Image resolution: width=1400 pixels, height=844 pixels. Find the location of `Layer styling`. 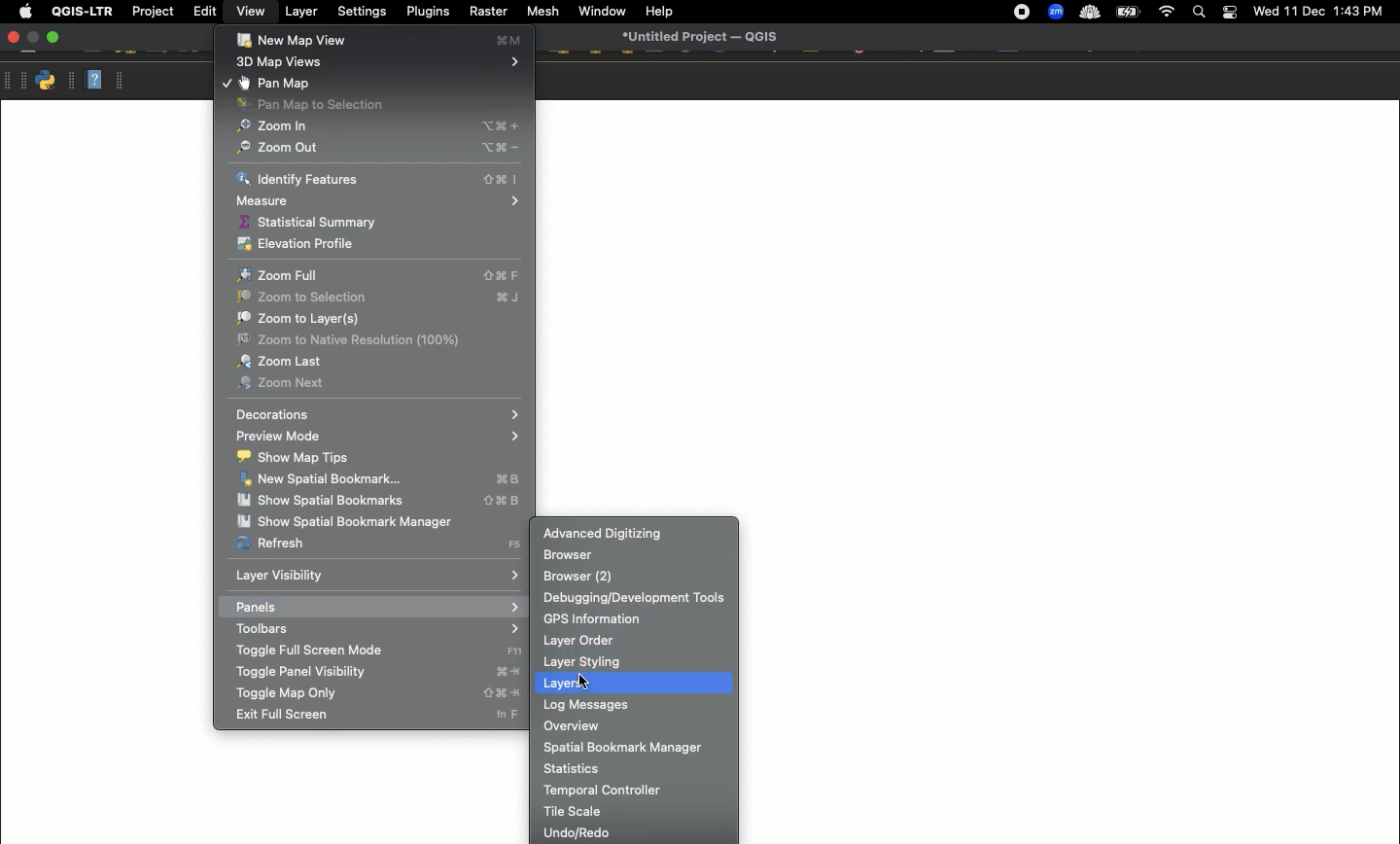

Layer styling is located at coordinates (637, 662).